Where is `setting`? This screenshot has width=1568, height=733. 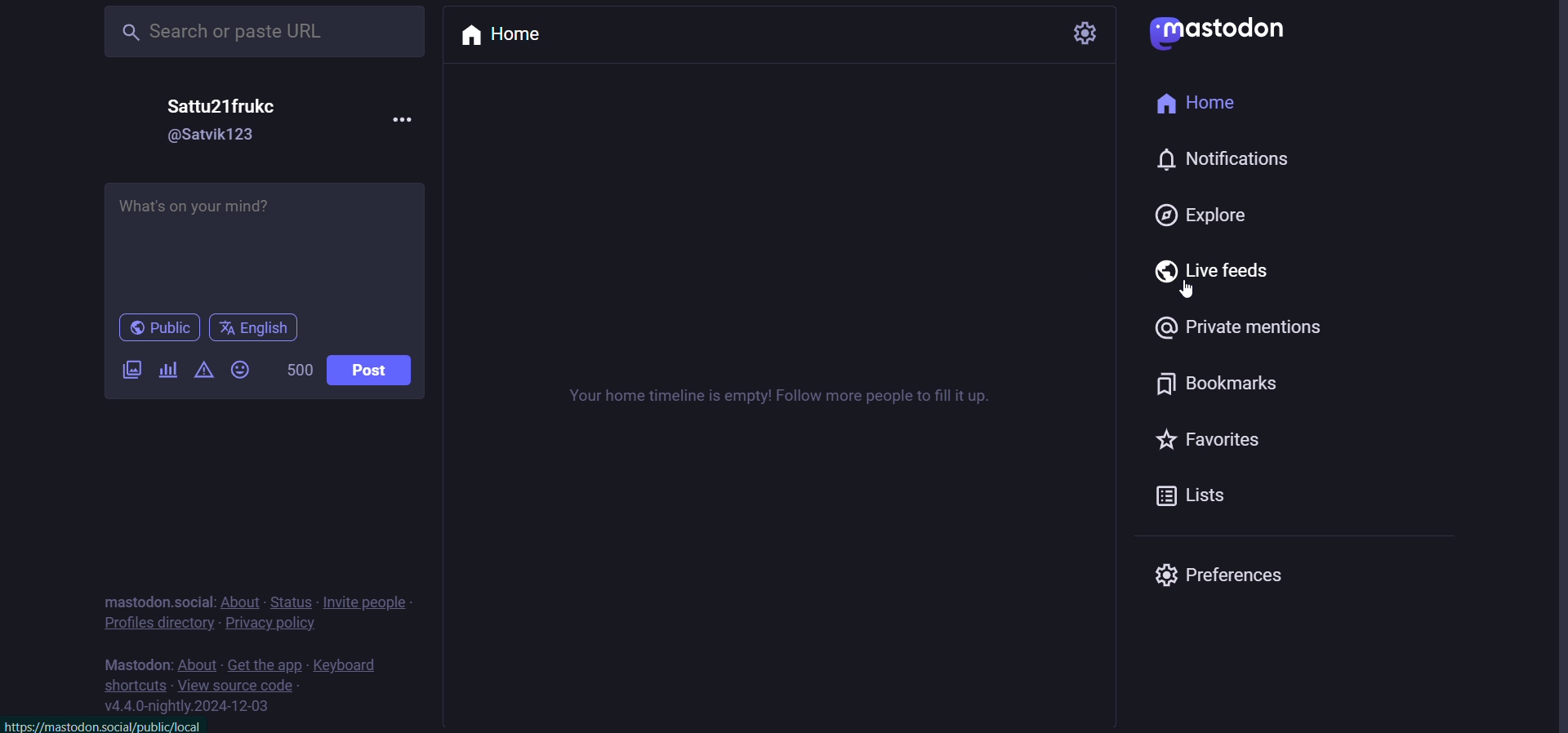 setting is located at coordinates (1084, 36).